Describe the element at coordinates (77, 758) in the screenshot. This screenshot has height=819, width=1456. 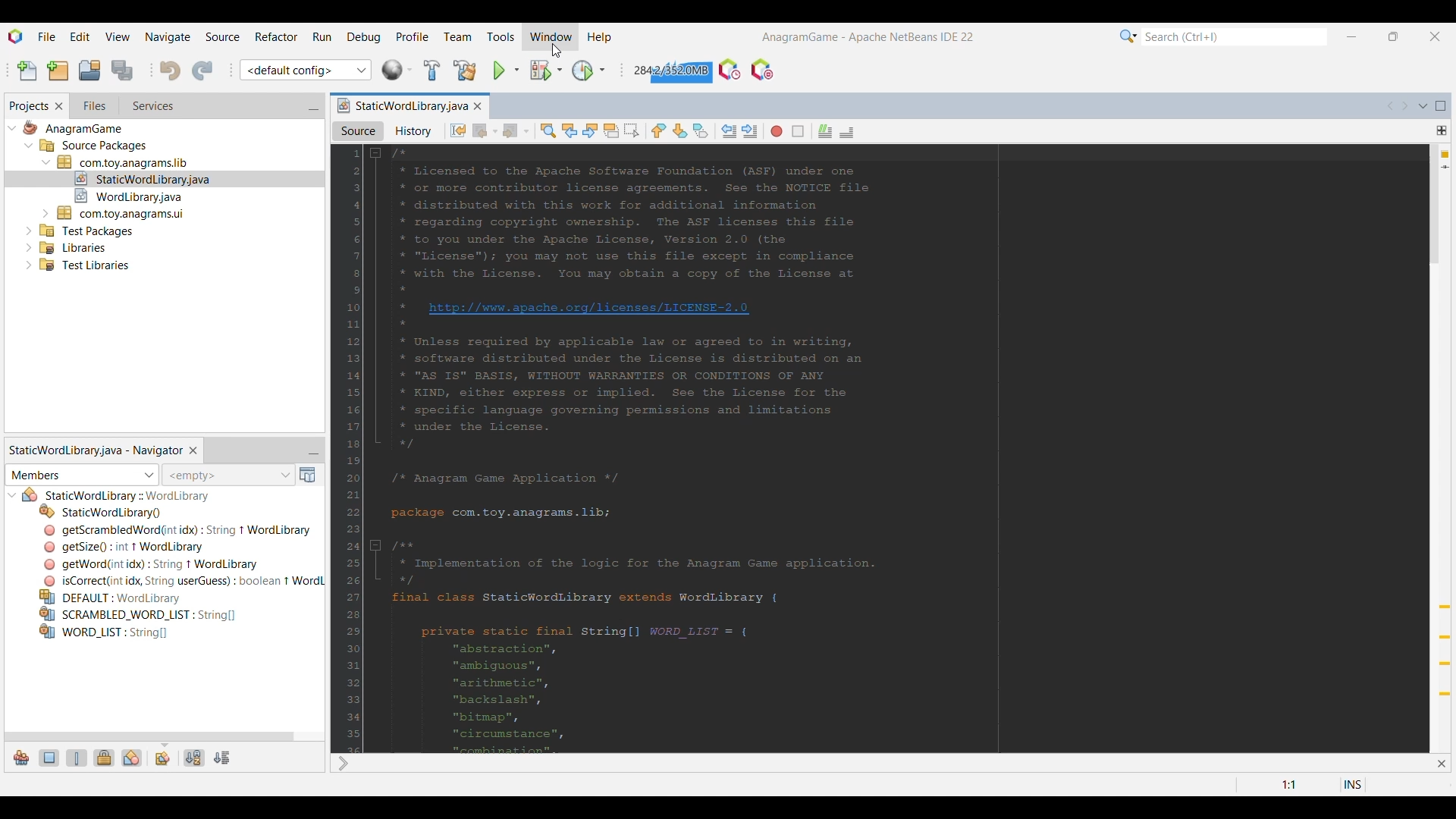
I see `Show static members` at that location.